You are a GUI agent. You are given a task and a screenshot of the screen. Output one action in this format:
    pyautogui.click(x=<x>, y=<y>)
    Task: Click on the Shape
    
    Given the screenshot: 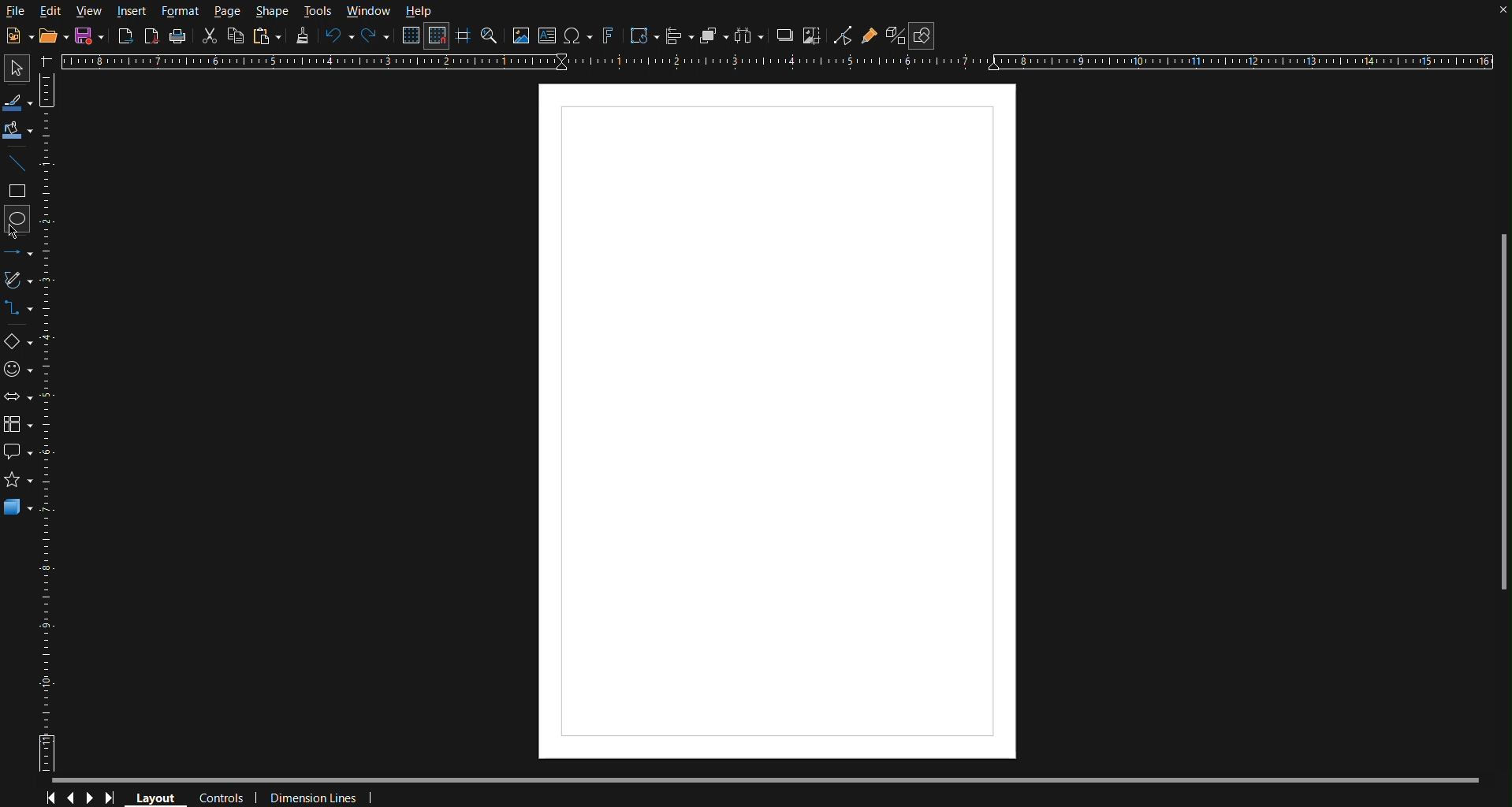 What is the action you would take?
    pyautogui.click(x=272, y=12)
    